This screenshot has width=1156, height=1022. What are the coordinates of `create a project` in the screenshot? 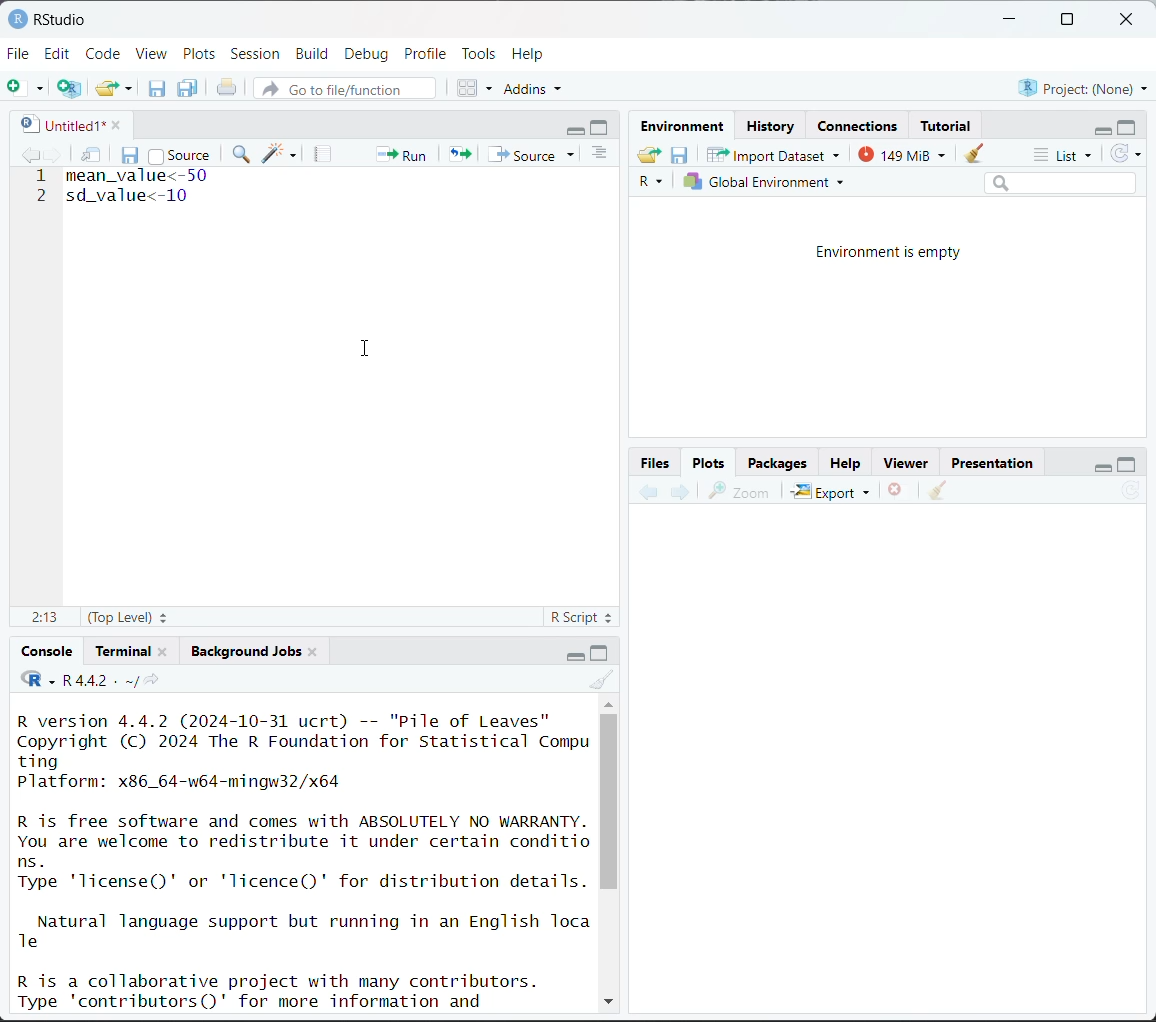 It's located at (69, 88).